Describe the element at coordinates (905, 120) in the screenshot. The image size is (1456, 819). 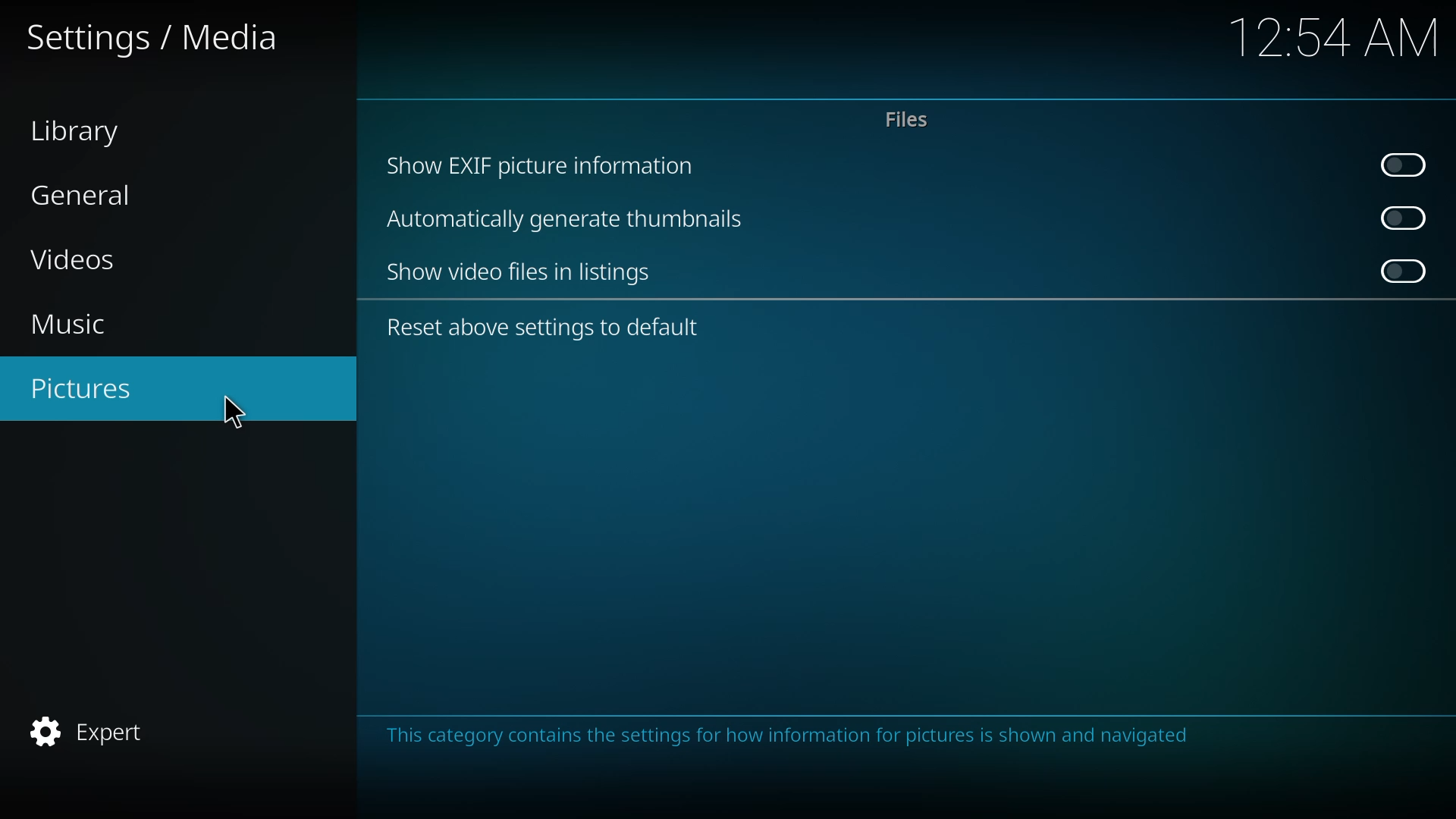
I see `files` at that location.